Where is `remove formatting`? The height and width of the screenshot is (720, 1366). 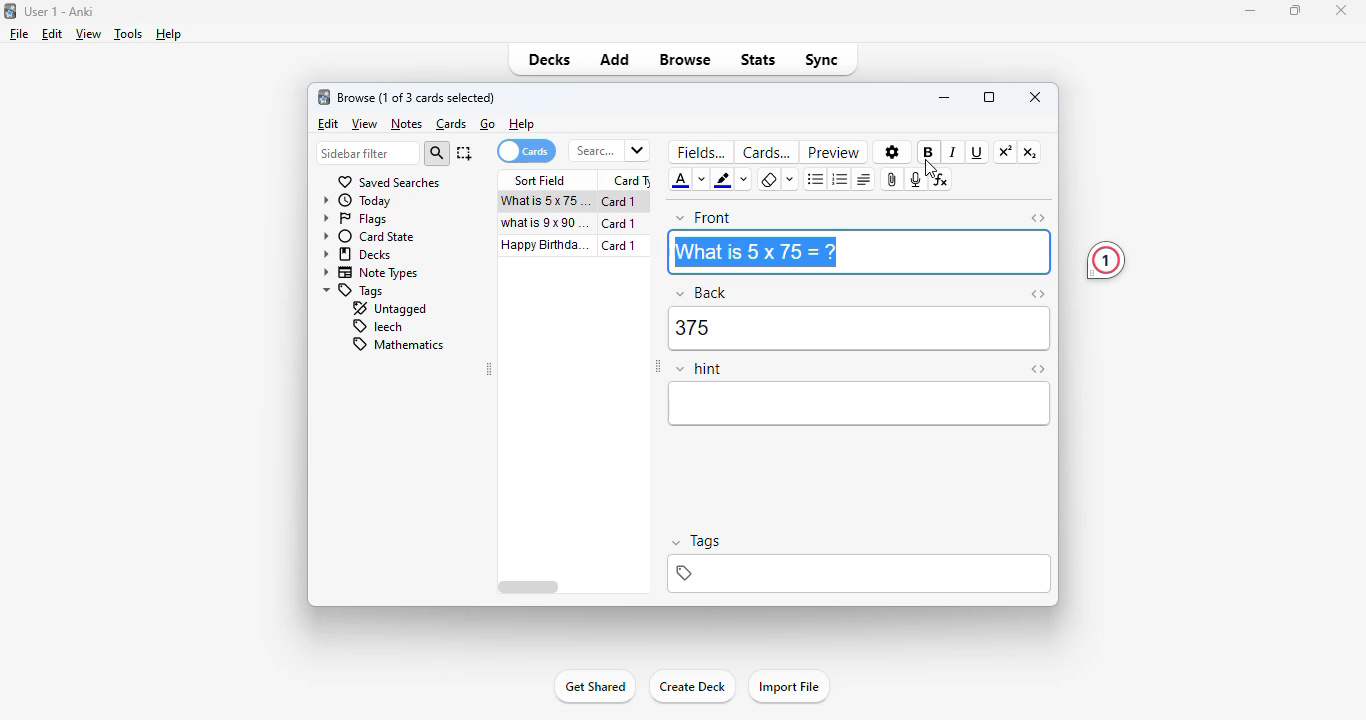
remove formatting is located at coordinates (770, 179).